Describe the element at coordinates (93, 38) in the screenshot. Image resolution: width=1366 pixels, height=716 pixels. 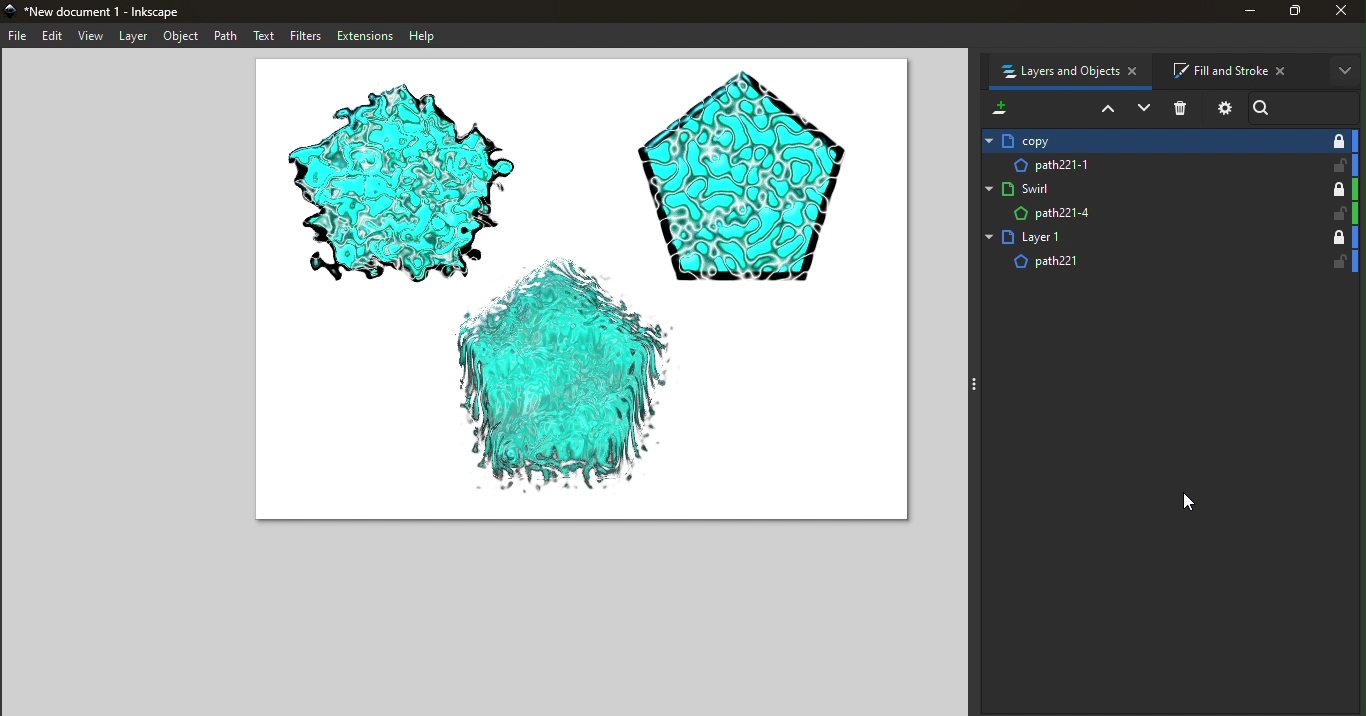
I see `View` at that location.